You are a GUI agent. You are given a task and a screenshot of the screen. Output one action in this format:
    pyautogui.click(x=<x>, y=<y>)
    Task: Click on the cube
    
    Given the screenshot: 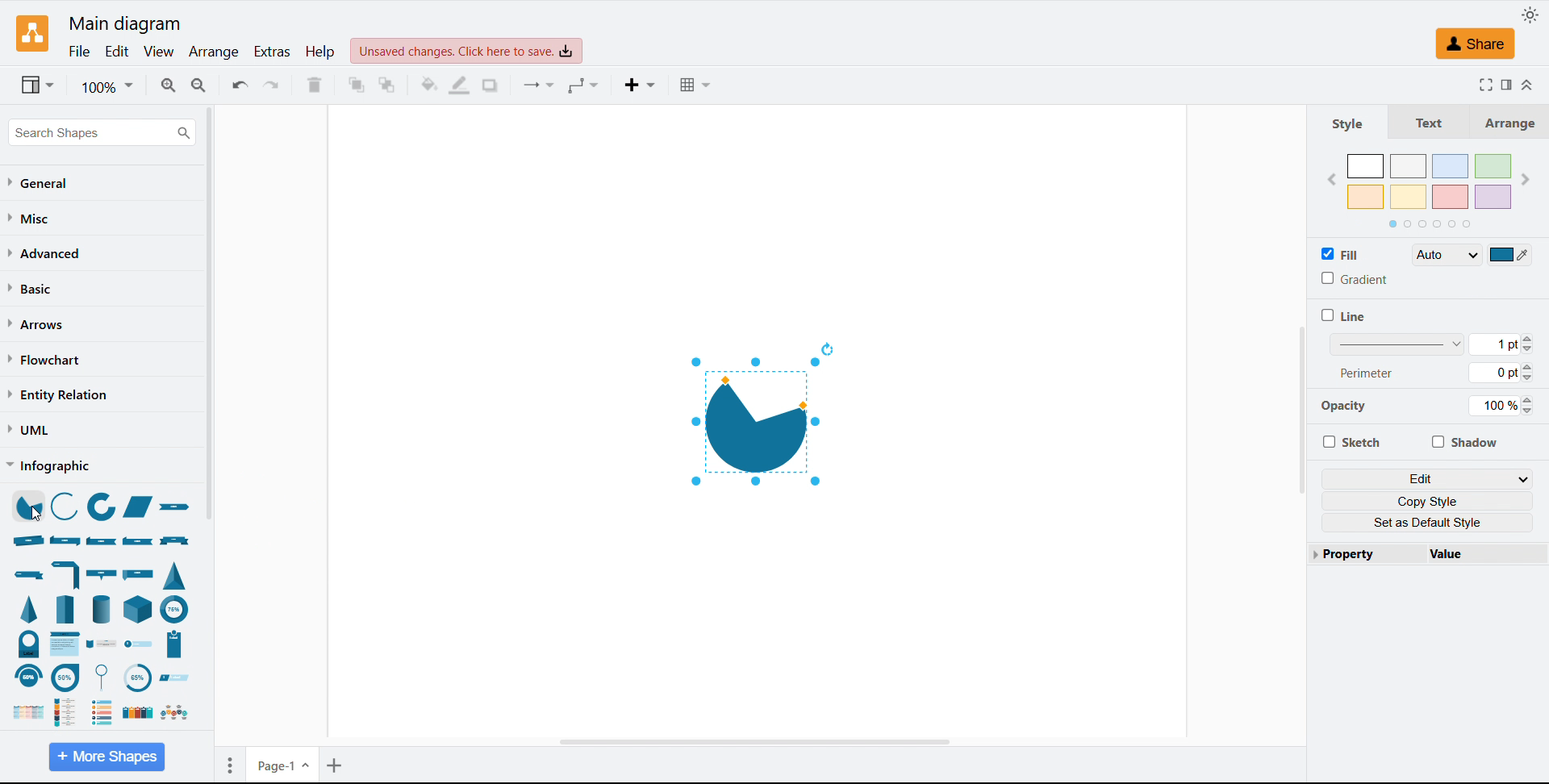 What is the action you would take?
    pyautogui.click(x=136, y=611)
    